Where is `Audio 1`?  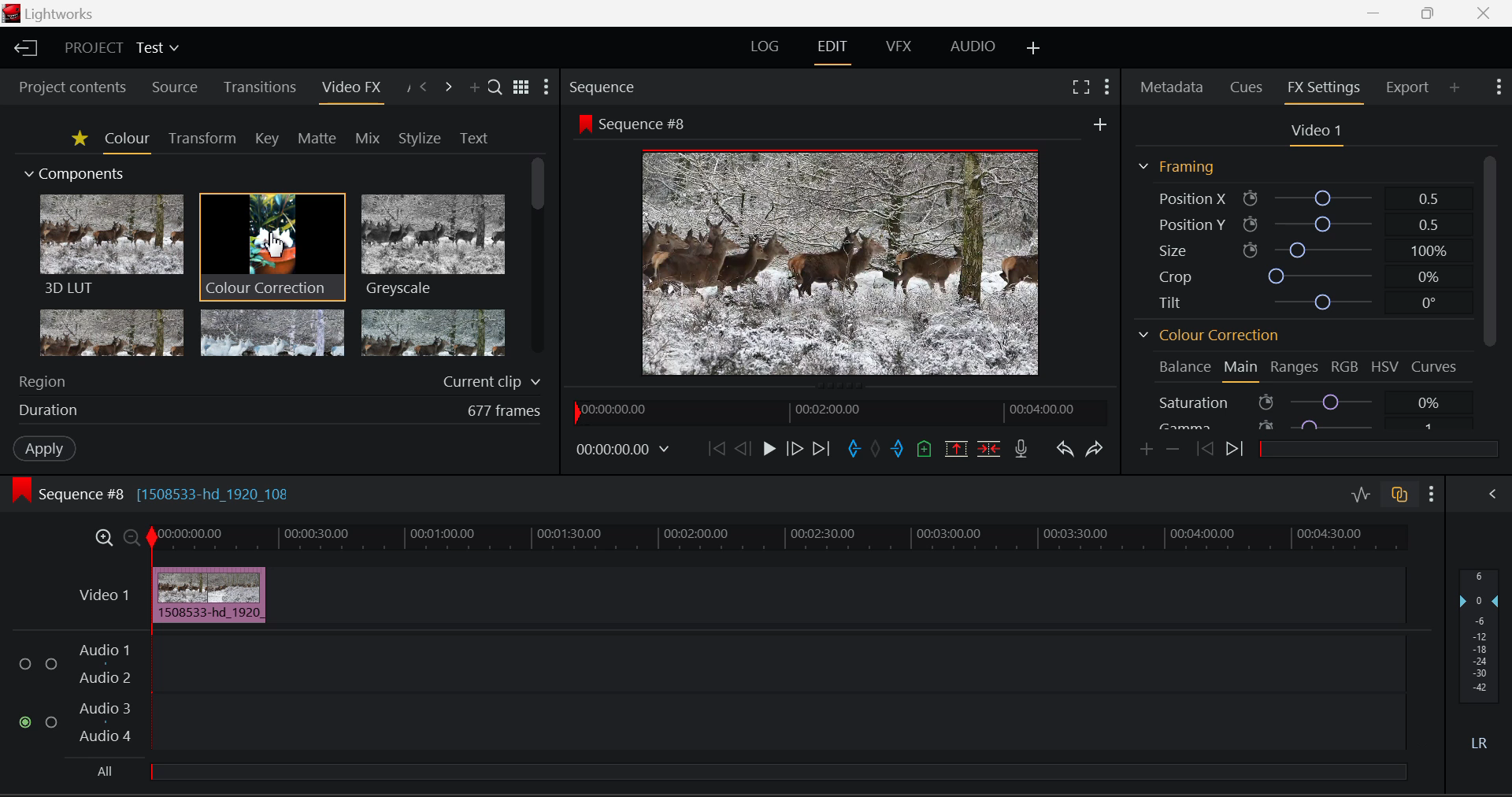 Audio 1 is located at coordinates (104, 651).